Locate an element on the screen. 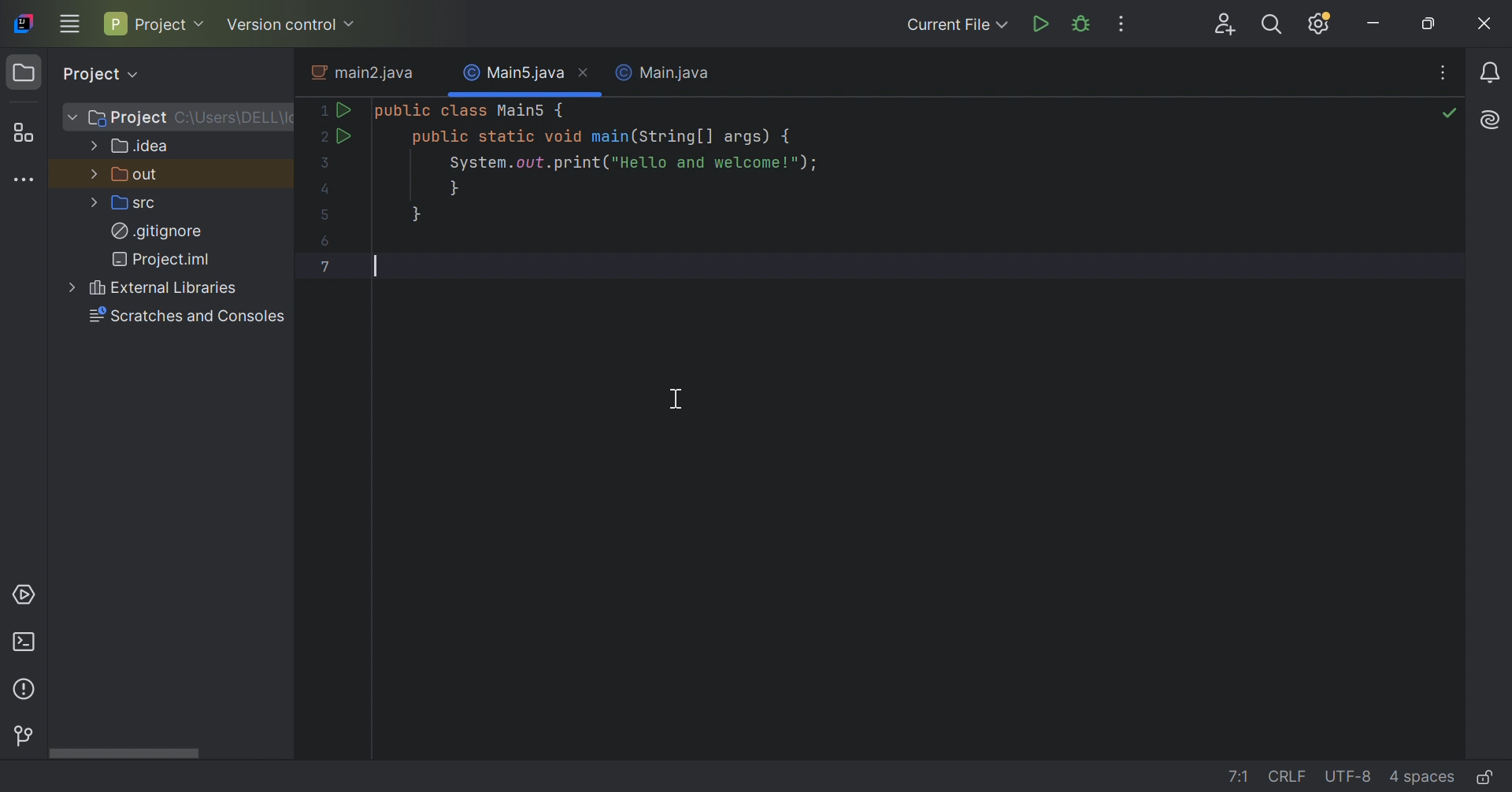 This screenshot has height=792, width=1512. code is located at coordinates (733, 187).